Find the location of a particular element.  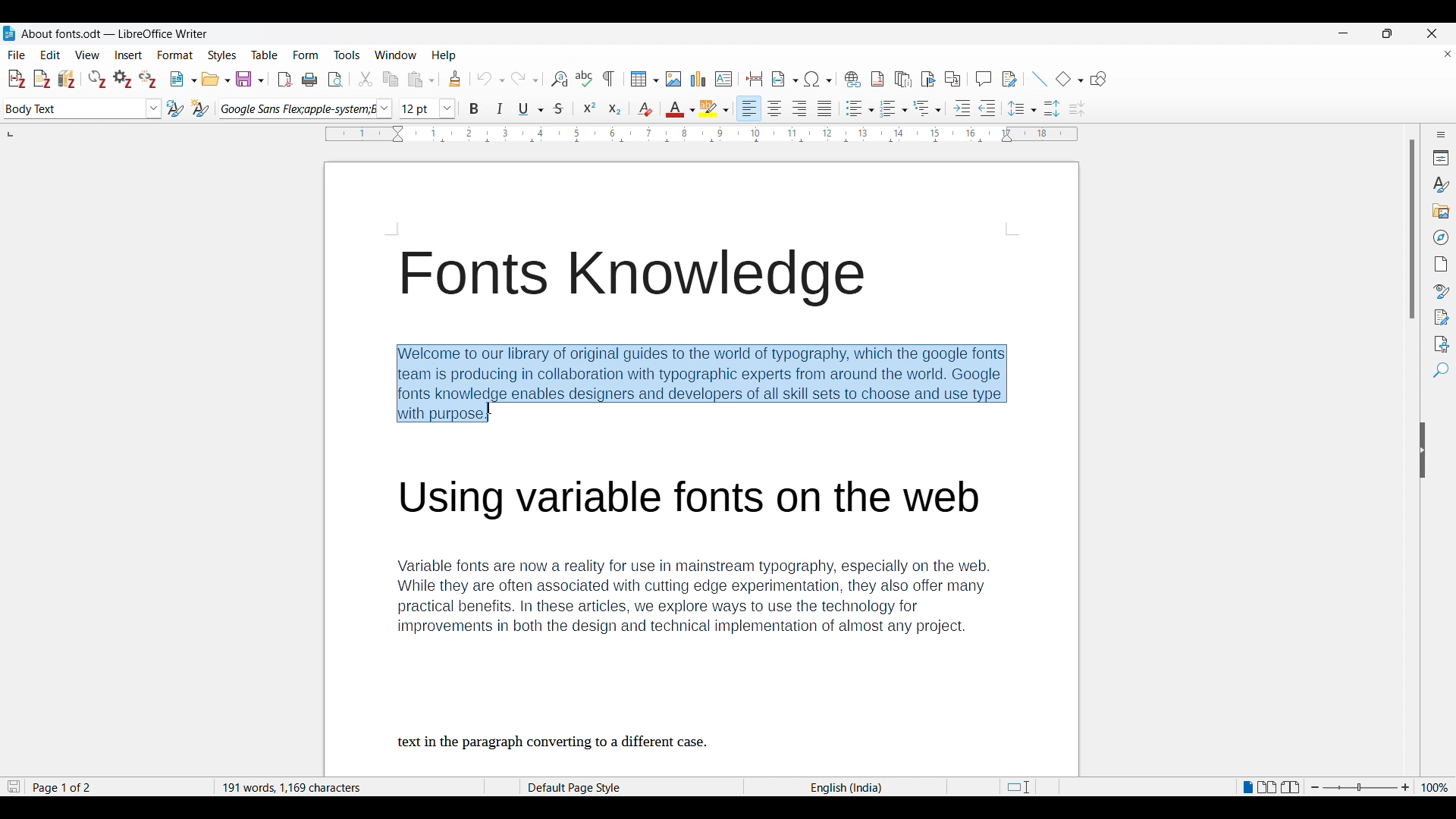

Page cut is located at coordinates (1018, 785).